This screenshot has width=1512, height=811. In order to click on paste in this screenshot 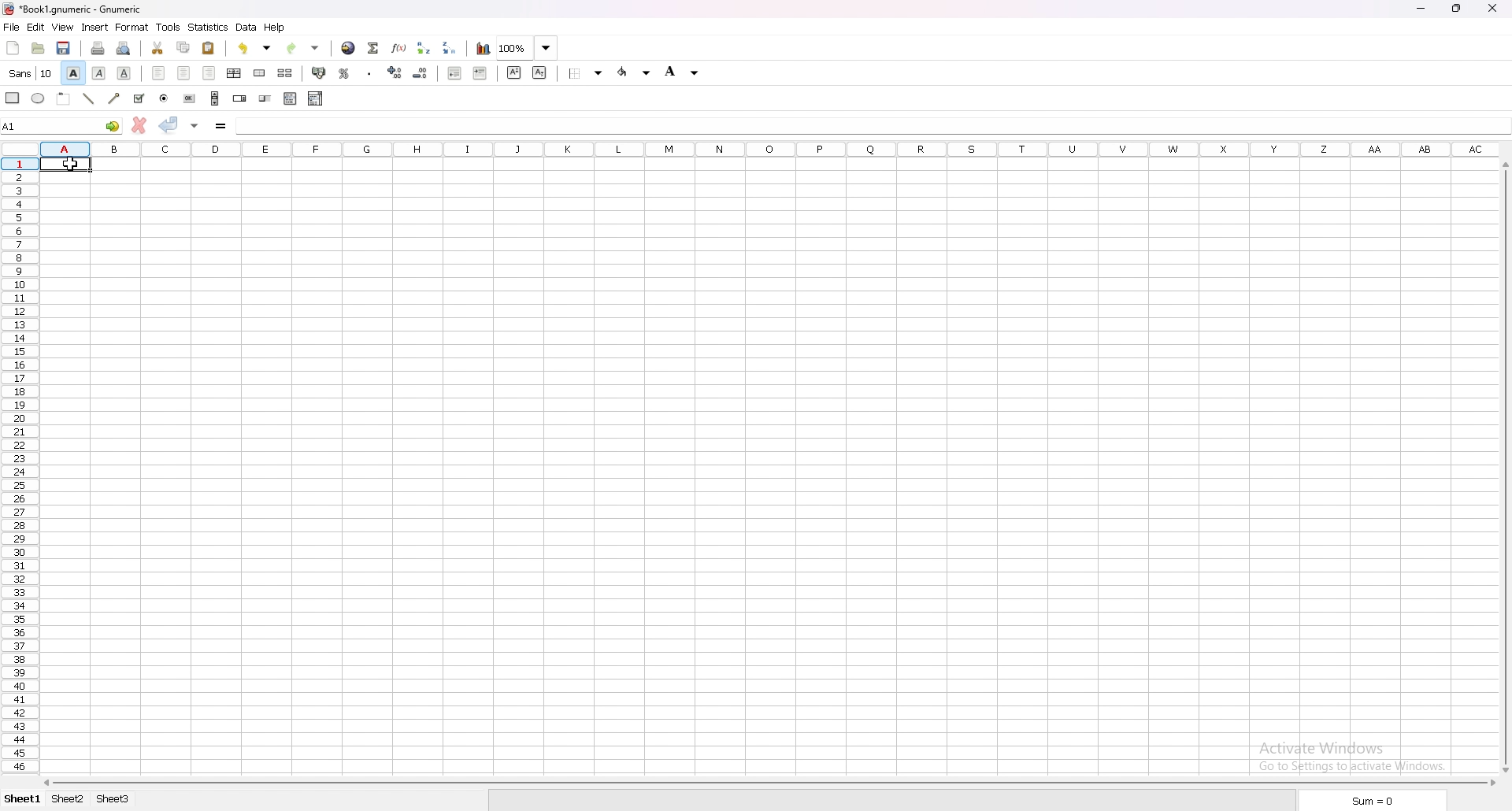, I will do `click(209, 47)`.